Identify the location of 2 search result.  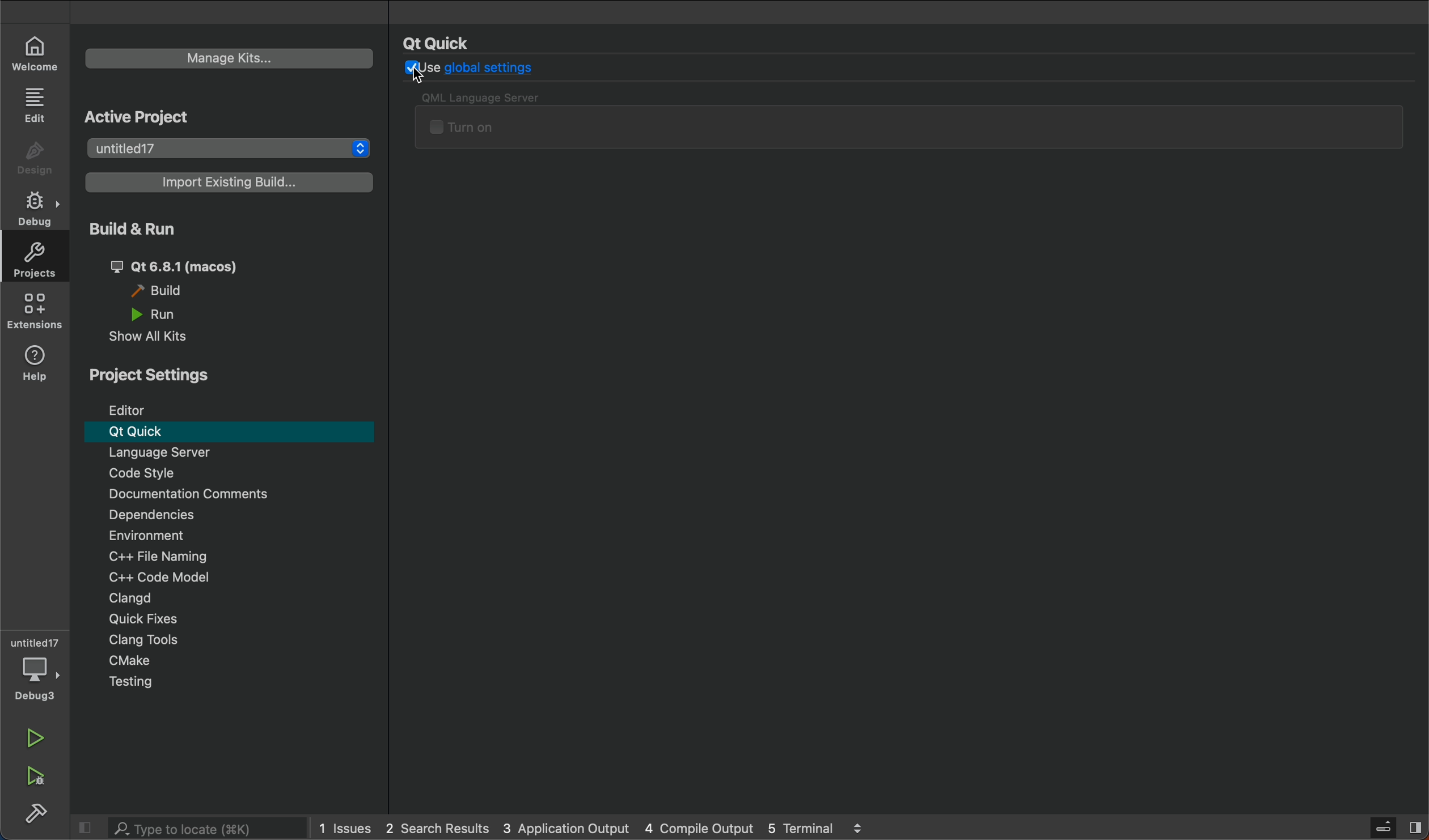
(439, 828).